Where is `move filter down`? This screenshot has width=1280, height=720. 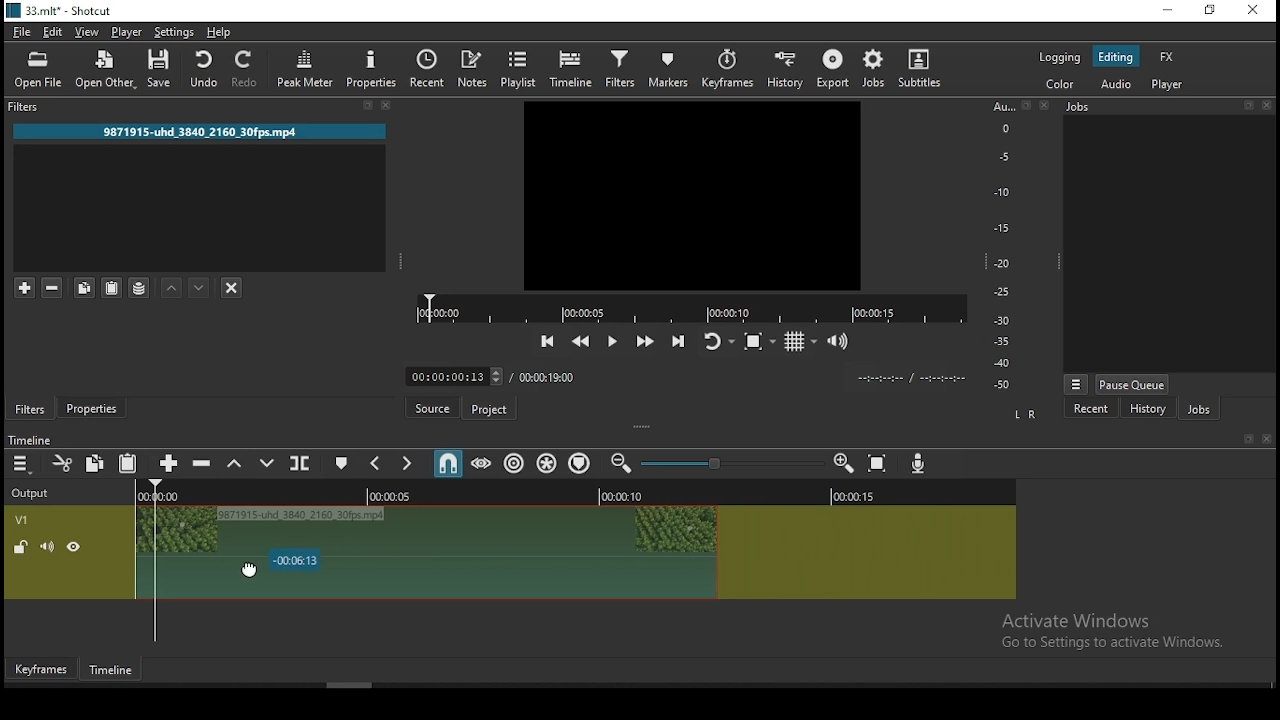 move filter down is located at coordinates (201, 286).